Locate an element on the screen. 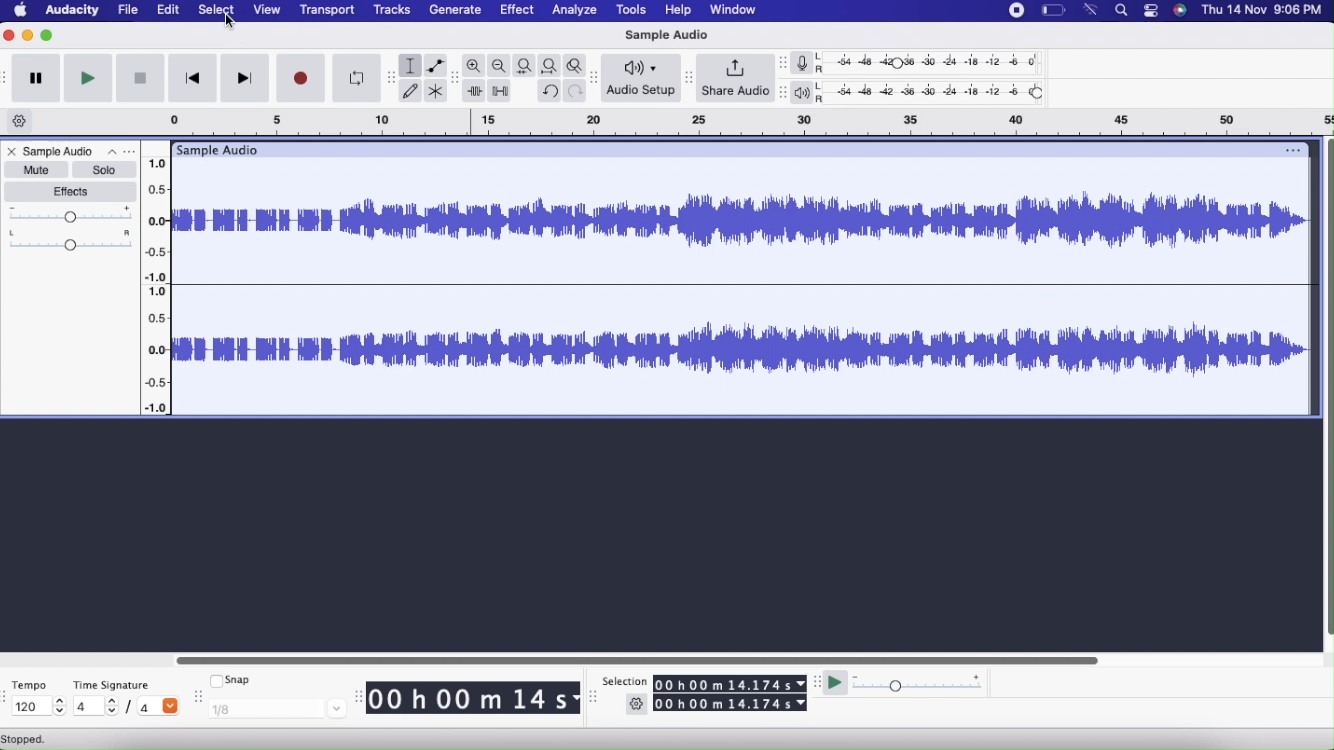  Tracks is located at coordinates (391, 10).